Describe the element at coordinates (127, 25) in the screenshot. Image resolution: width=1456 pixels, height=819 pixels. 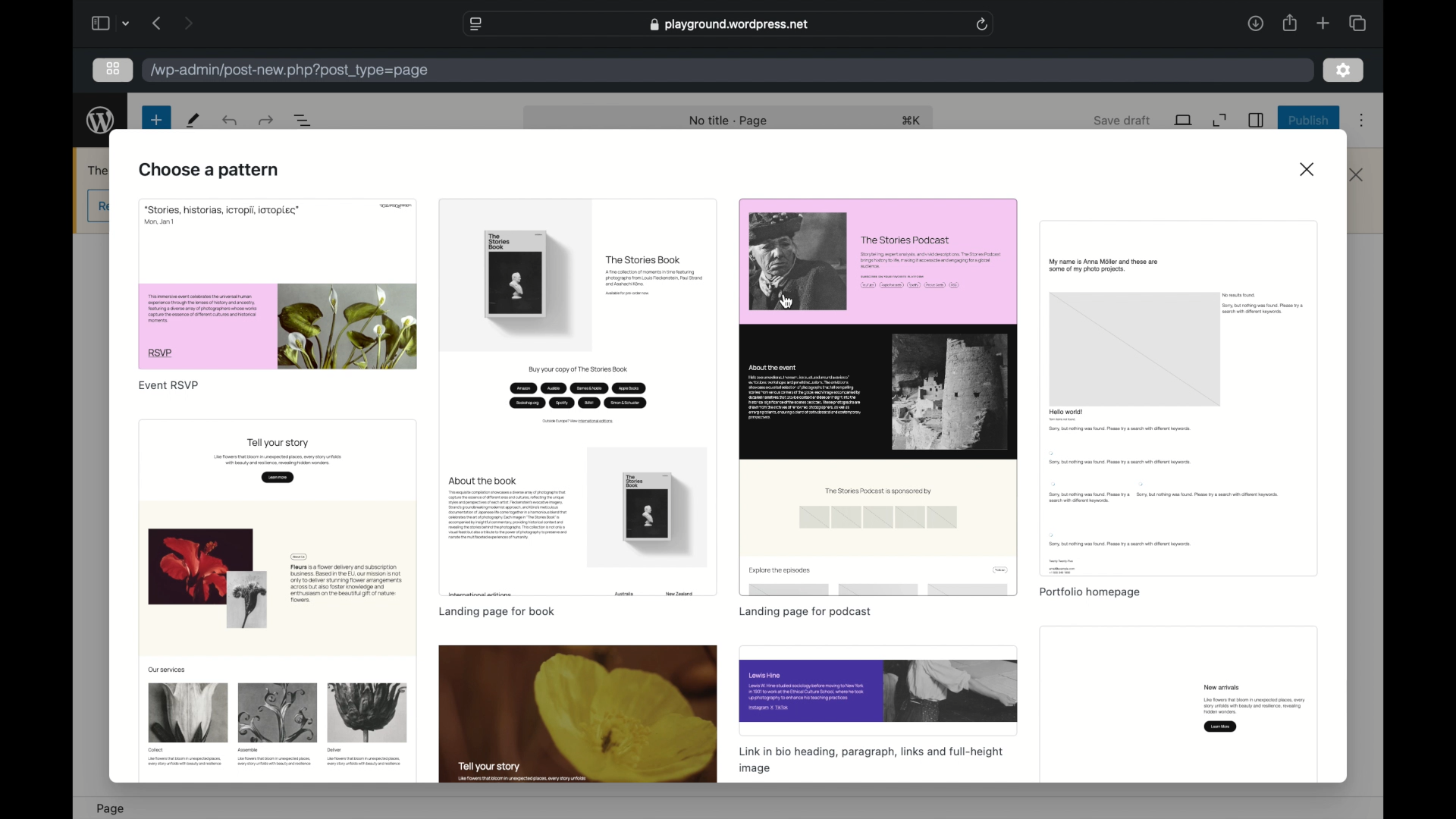
I see `dropdown` at that location.